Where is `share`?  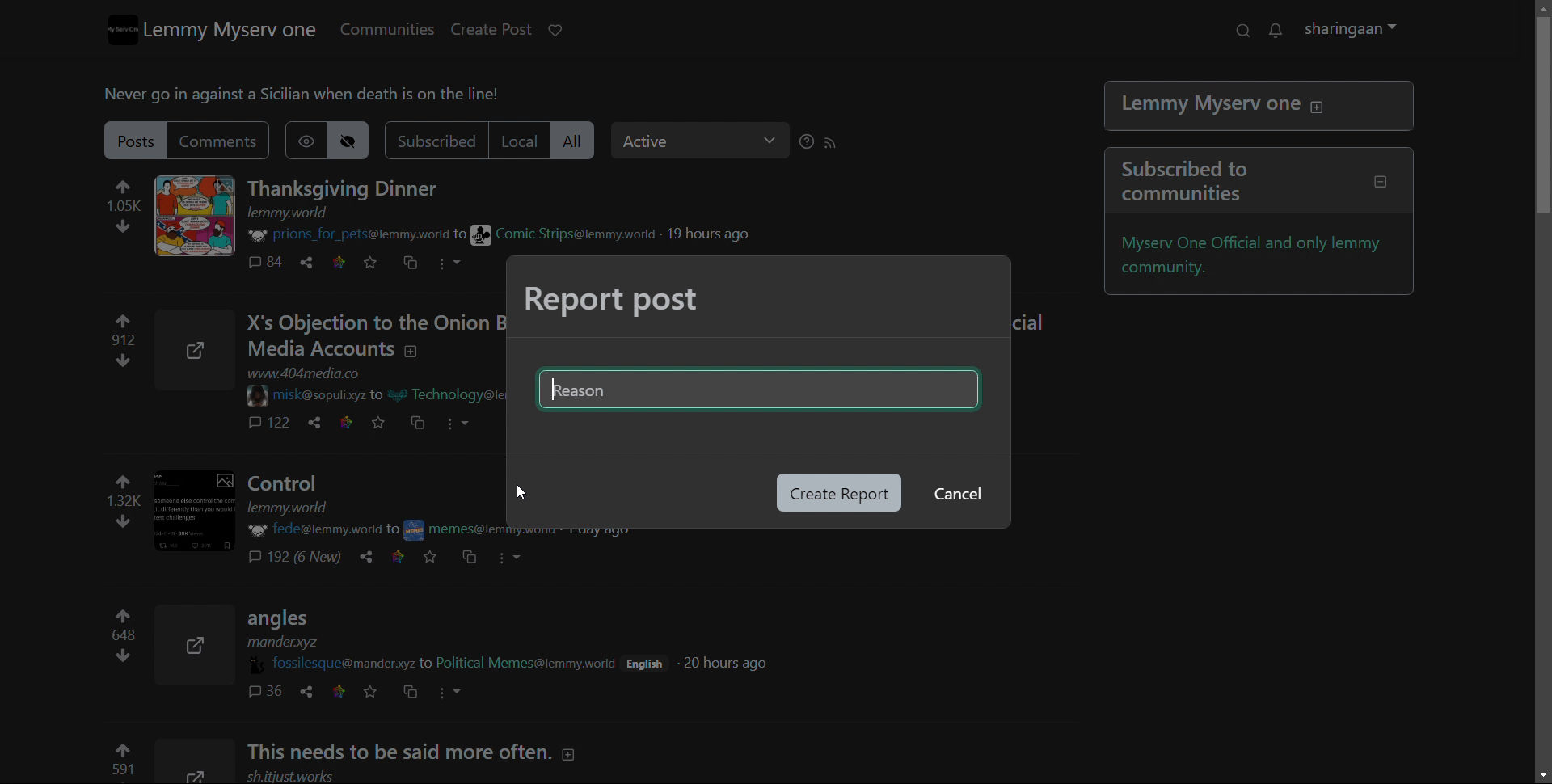
share is located at coordinates (318, 424).